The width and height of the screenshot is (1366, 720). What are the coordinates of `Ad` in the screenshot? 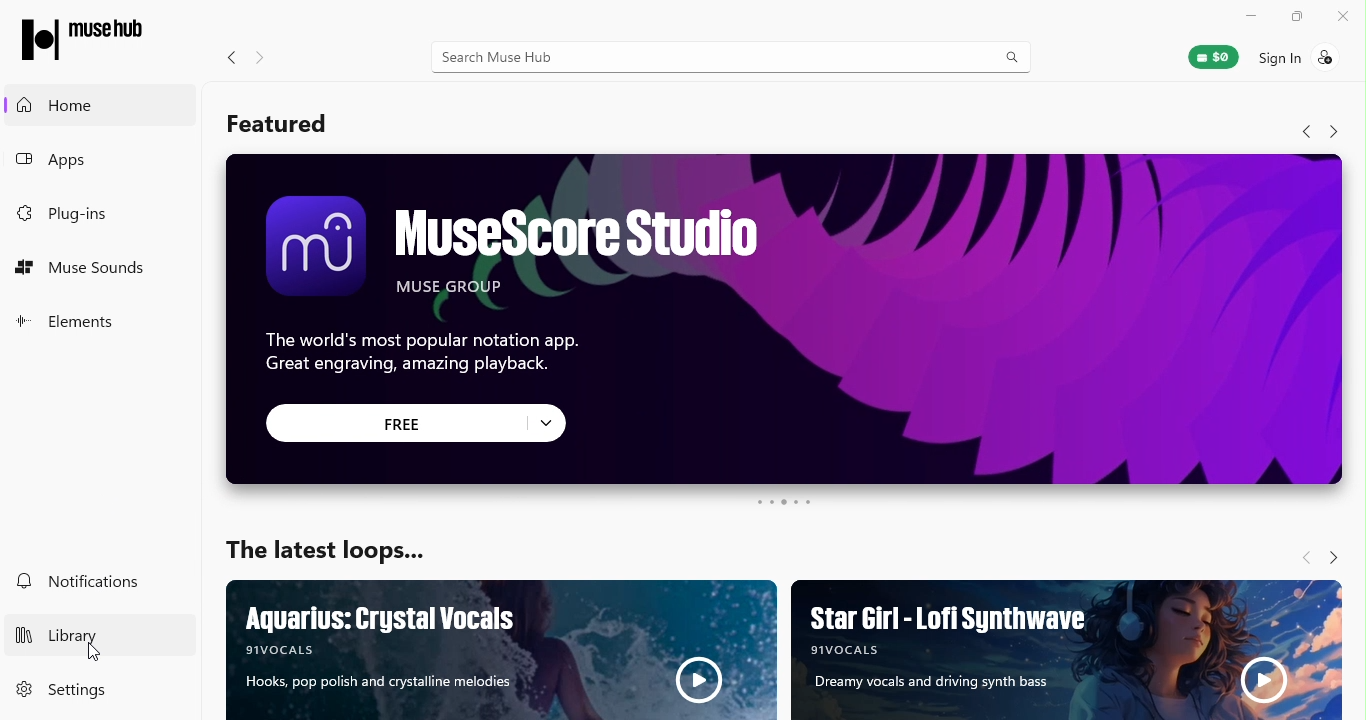 It's located at (500, 650).